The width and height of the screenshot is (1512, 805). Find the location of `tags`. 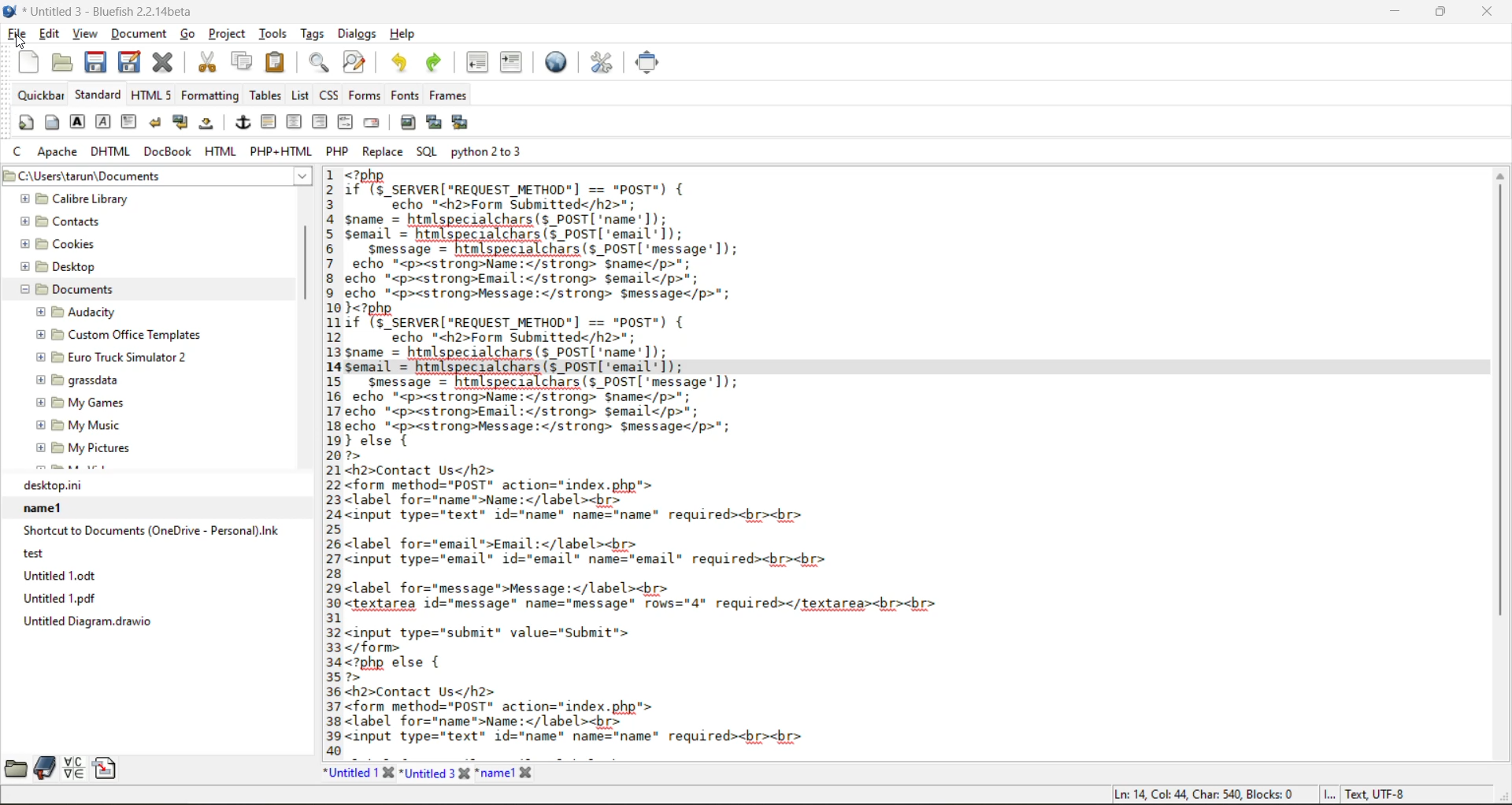

tags is located at coordinates (312, 35).